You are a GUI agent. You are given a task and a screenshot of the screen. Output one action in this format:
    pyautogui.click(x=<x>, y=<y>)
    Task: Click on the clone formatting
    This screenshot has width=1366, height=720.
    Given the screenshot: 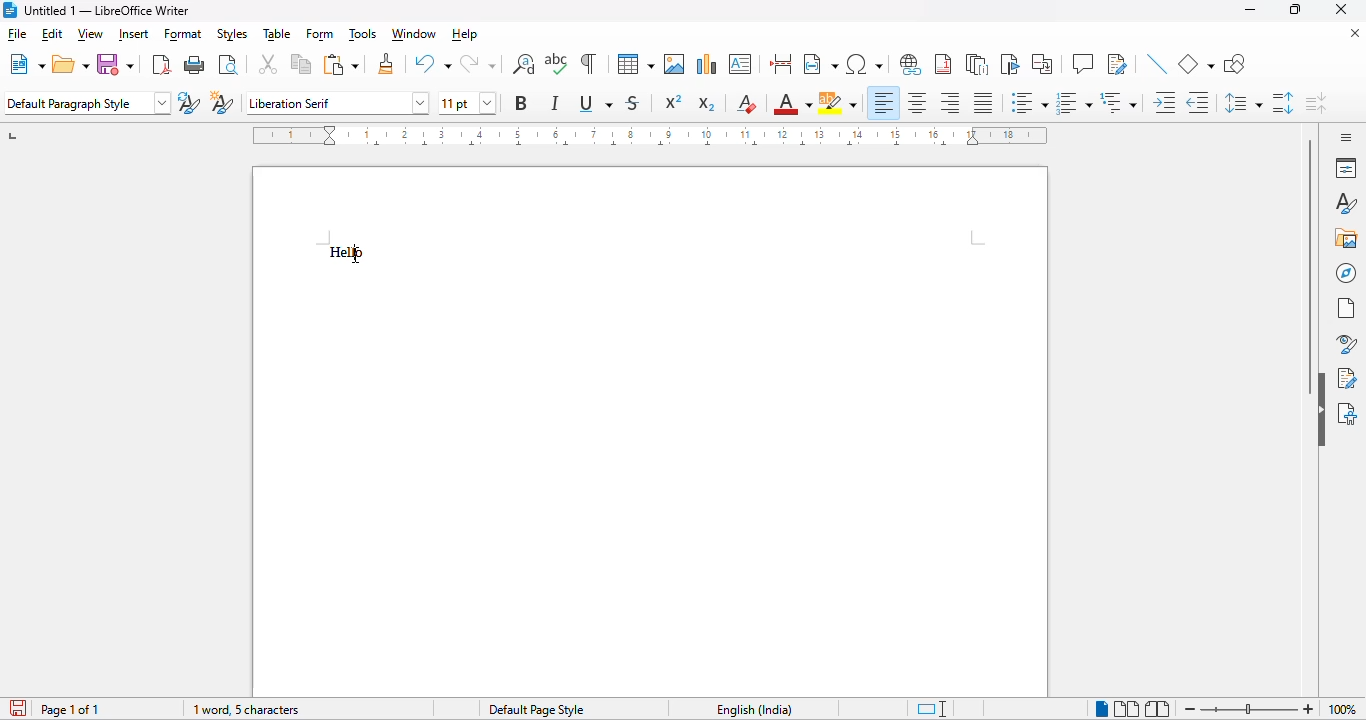 What is the action you would take?
    pyautogui.click(x=387, y=64)
    